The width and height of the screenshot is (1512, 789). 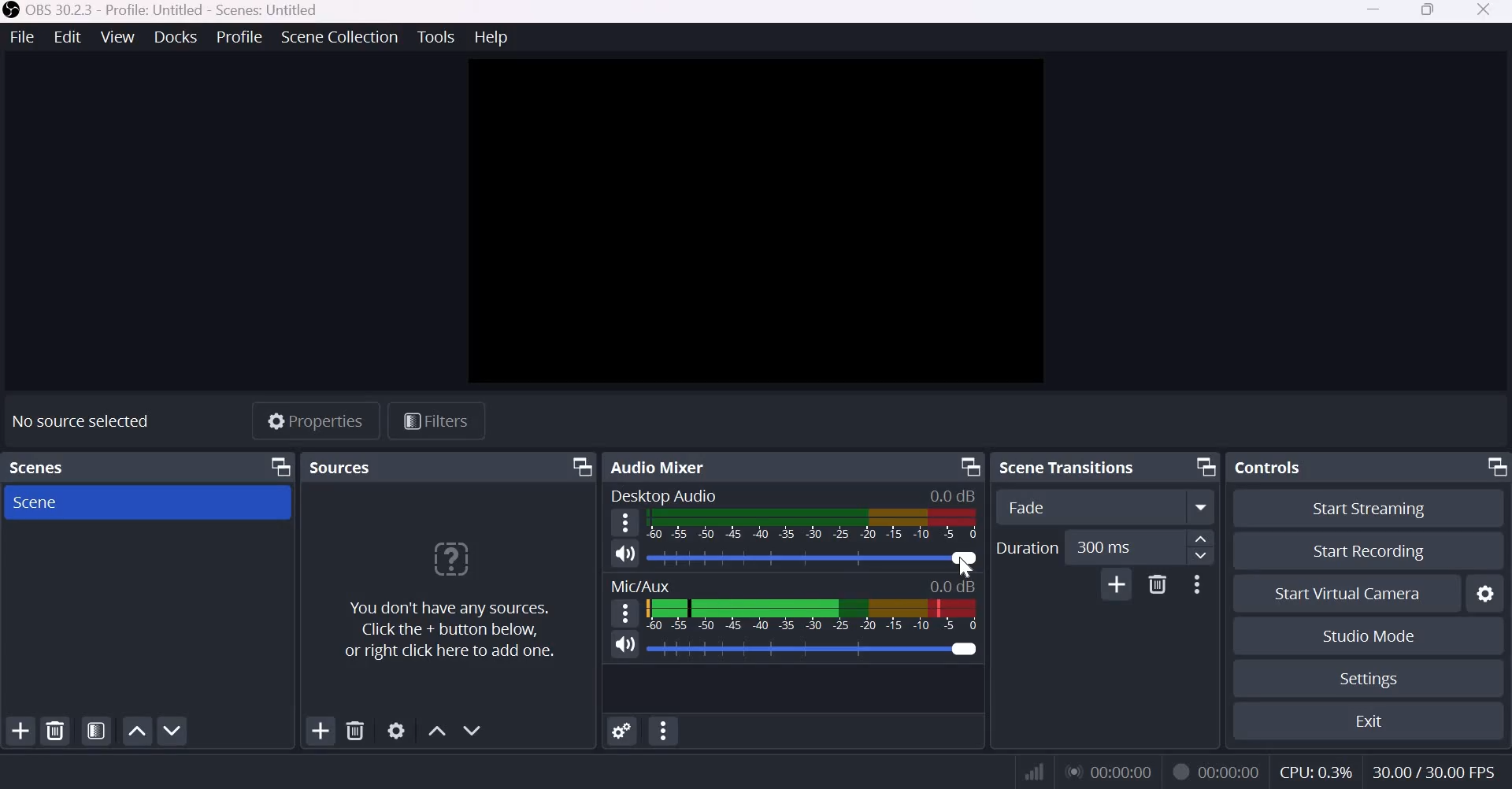 What do you see at coordinates (1036, 771) in the screenshot?
I see `Connection Status Indicator` at bounding box center [1036, 771].